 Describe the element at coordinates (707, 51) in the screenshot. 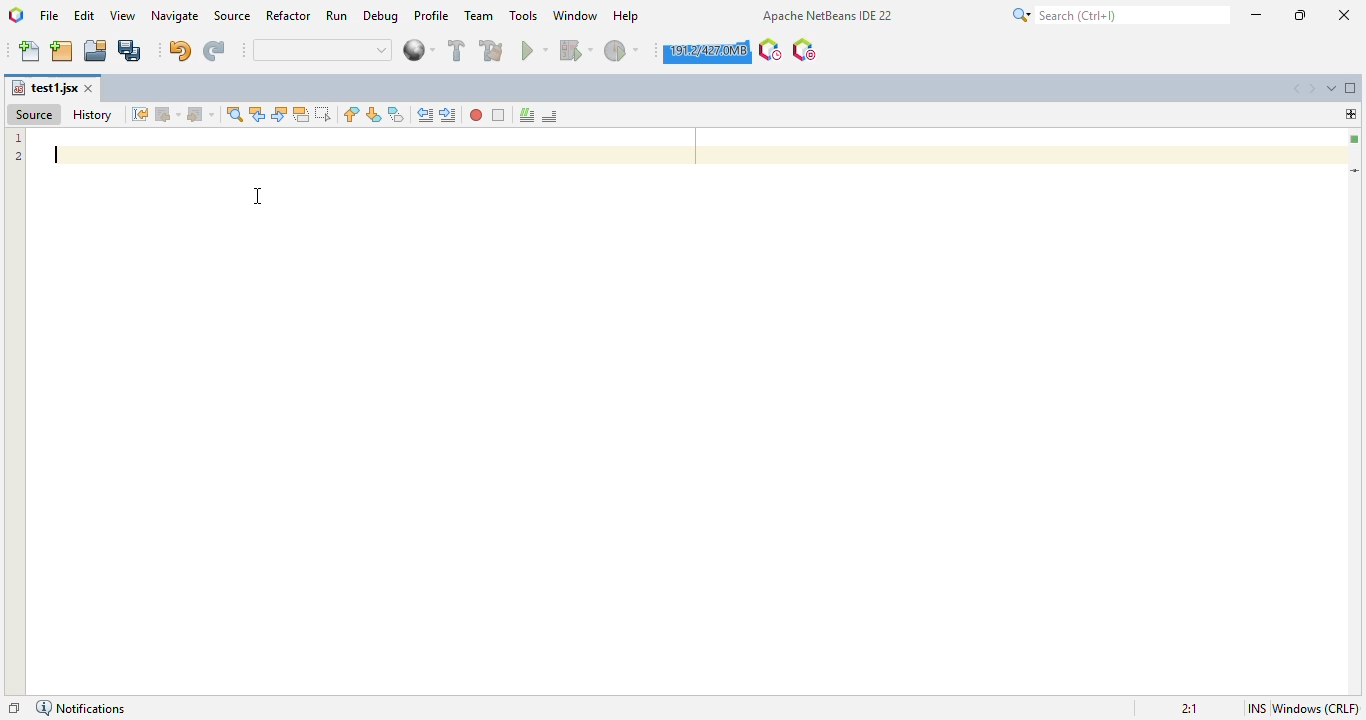

I see `click to force garbage collection` at that location.